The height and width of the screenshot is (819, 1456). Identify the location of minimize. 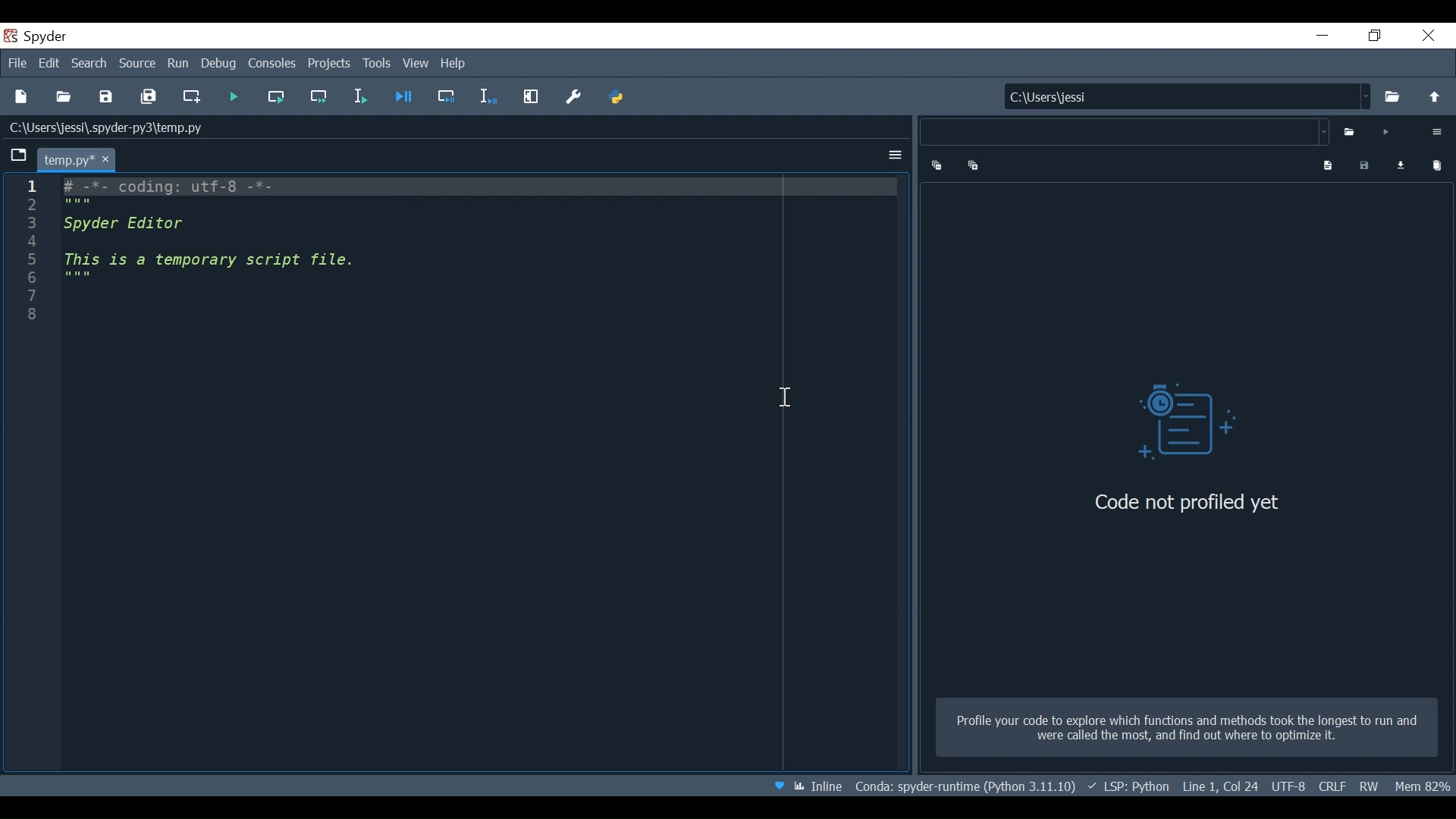
(1323, 35).